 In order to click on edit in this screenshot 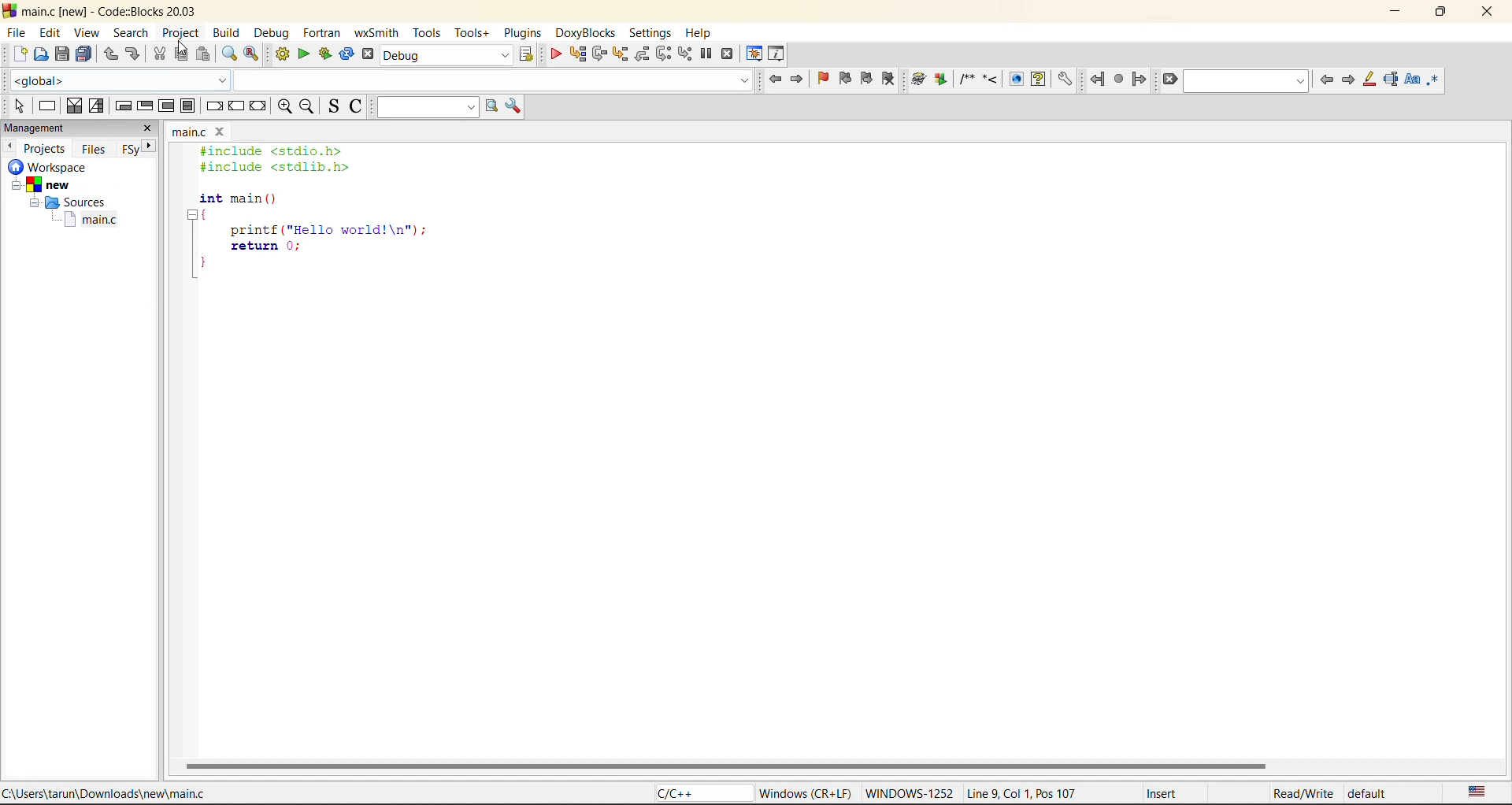, I will do `click(50, 32)`.